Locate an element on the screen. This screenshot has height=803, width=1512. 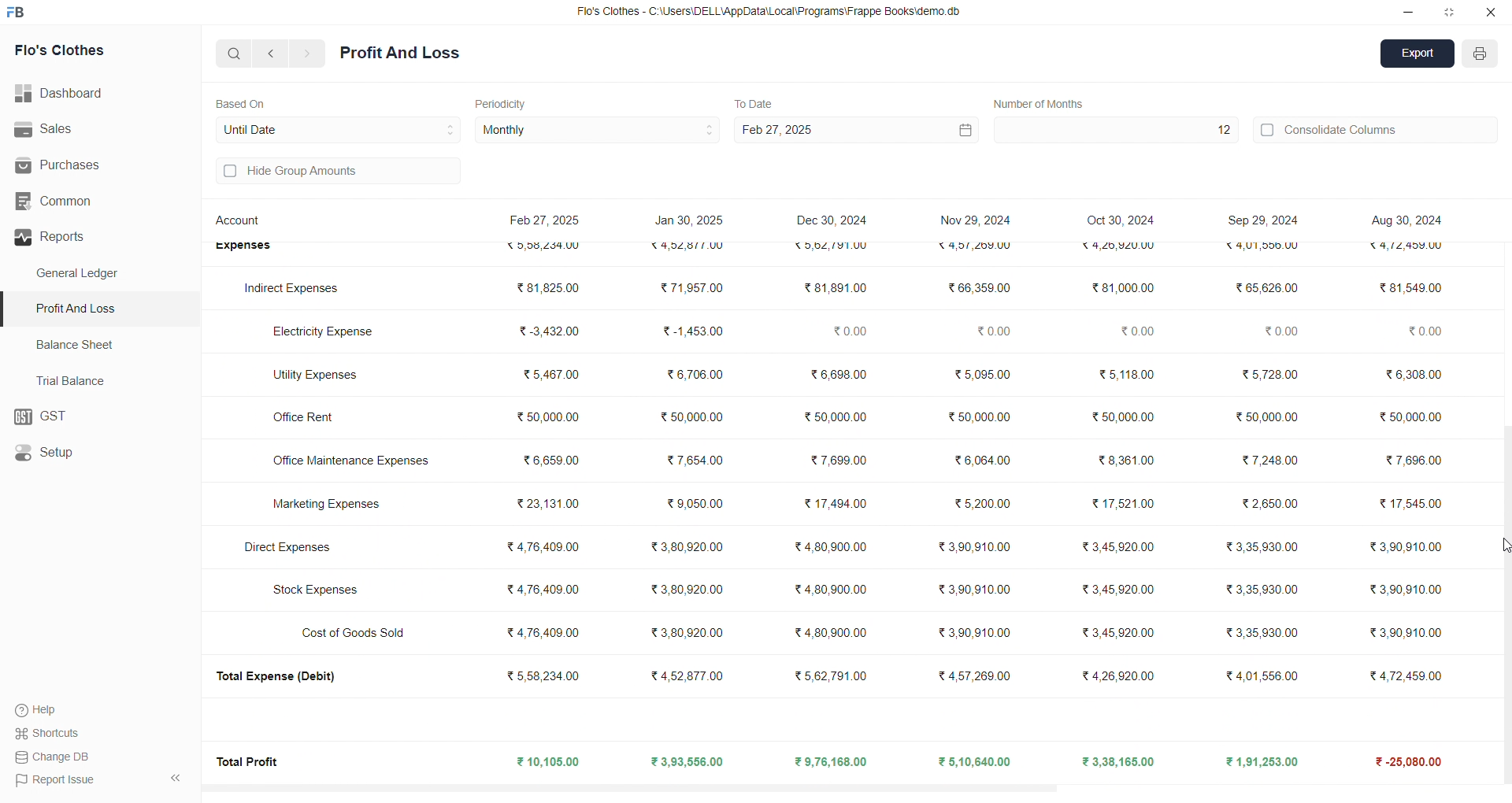
Setup is located at coordinates (91, 453).